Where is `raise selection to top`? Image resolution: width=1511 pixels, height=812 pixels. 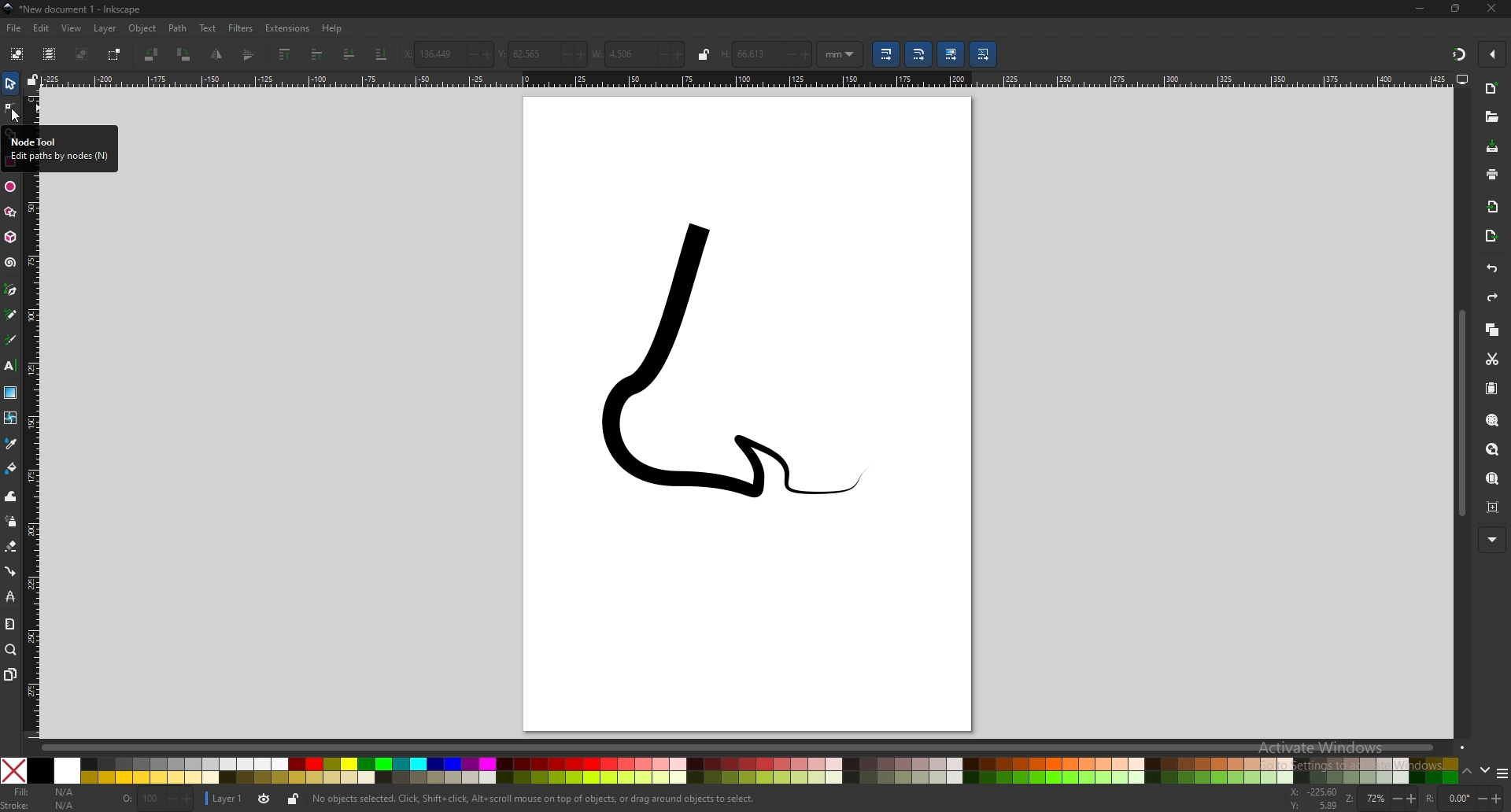
raise selection to top is located at coordinates (286, 55).